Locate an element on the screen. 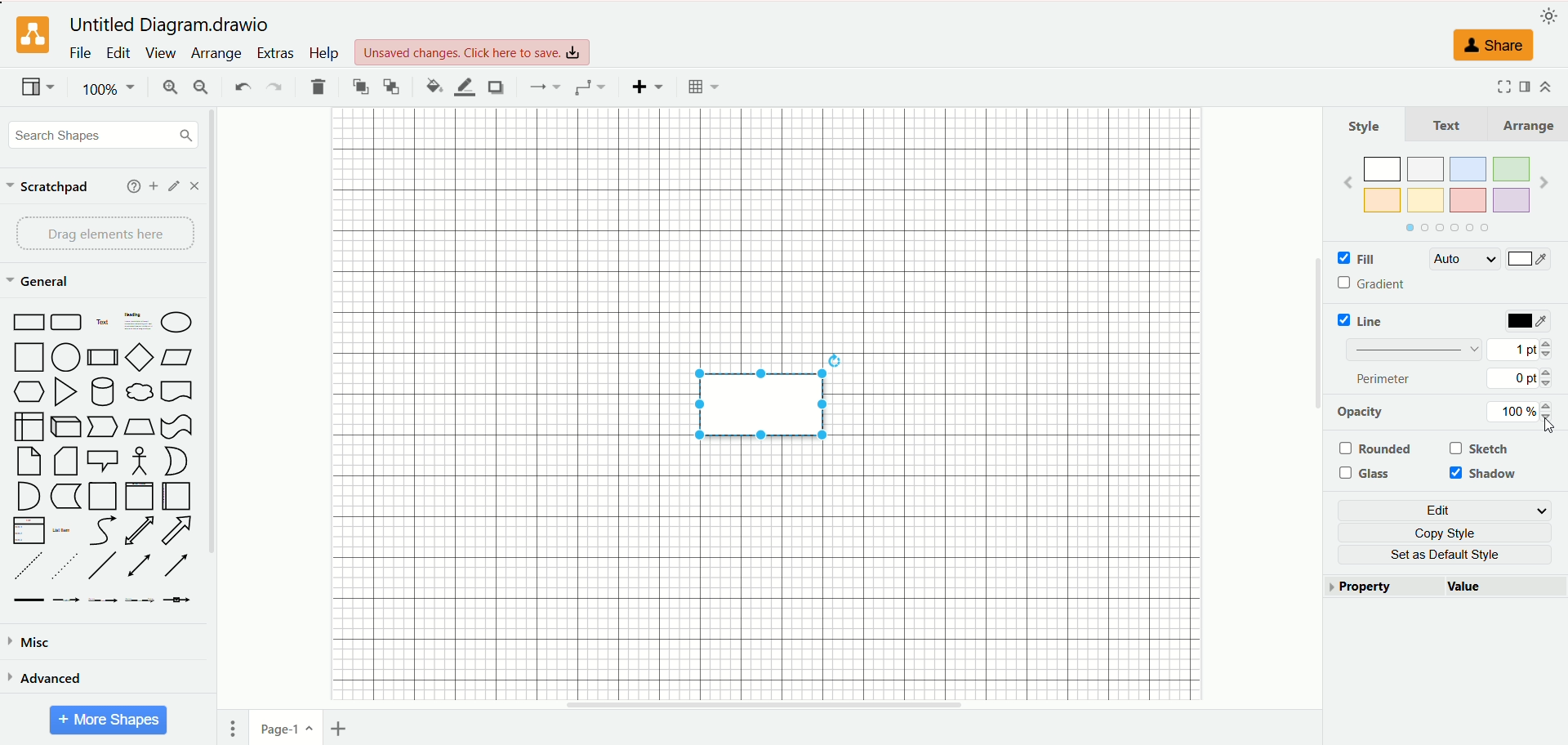  pattern is located at coordinates (1414, 348).